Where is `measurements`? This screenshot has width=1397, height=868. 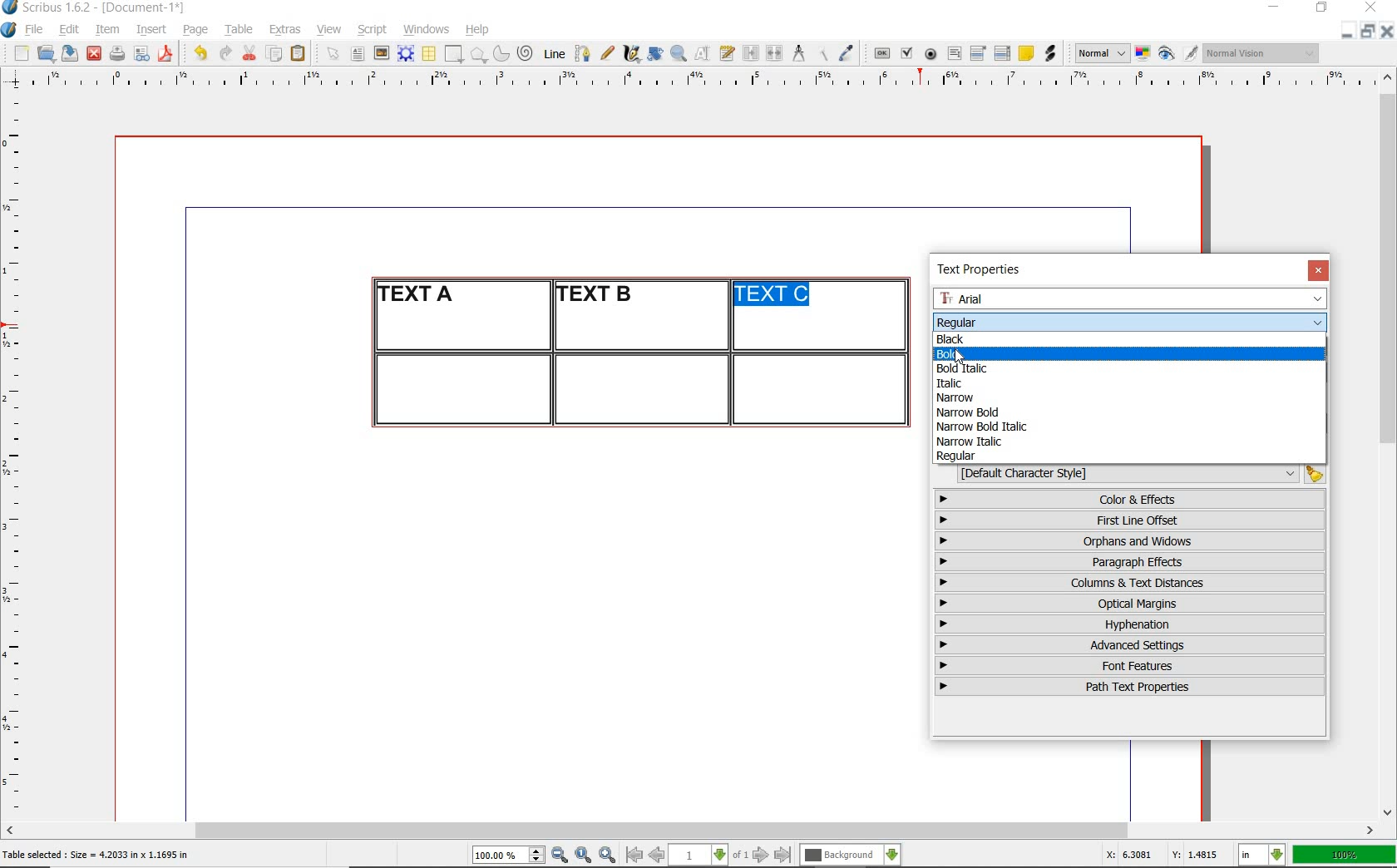 measurements is located at coordinates (798, 54).